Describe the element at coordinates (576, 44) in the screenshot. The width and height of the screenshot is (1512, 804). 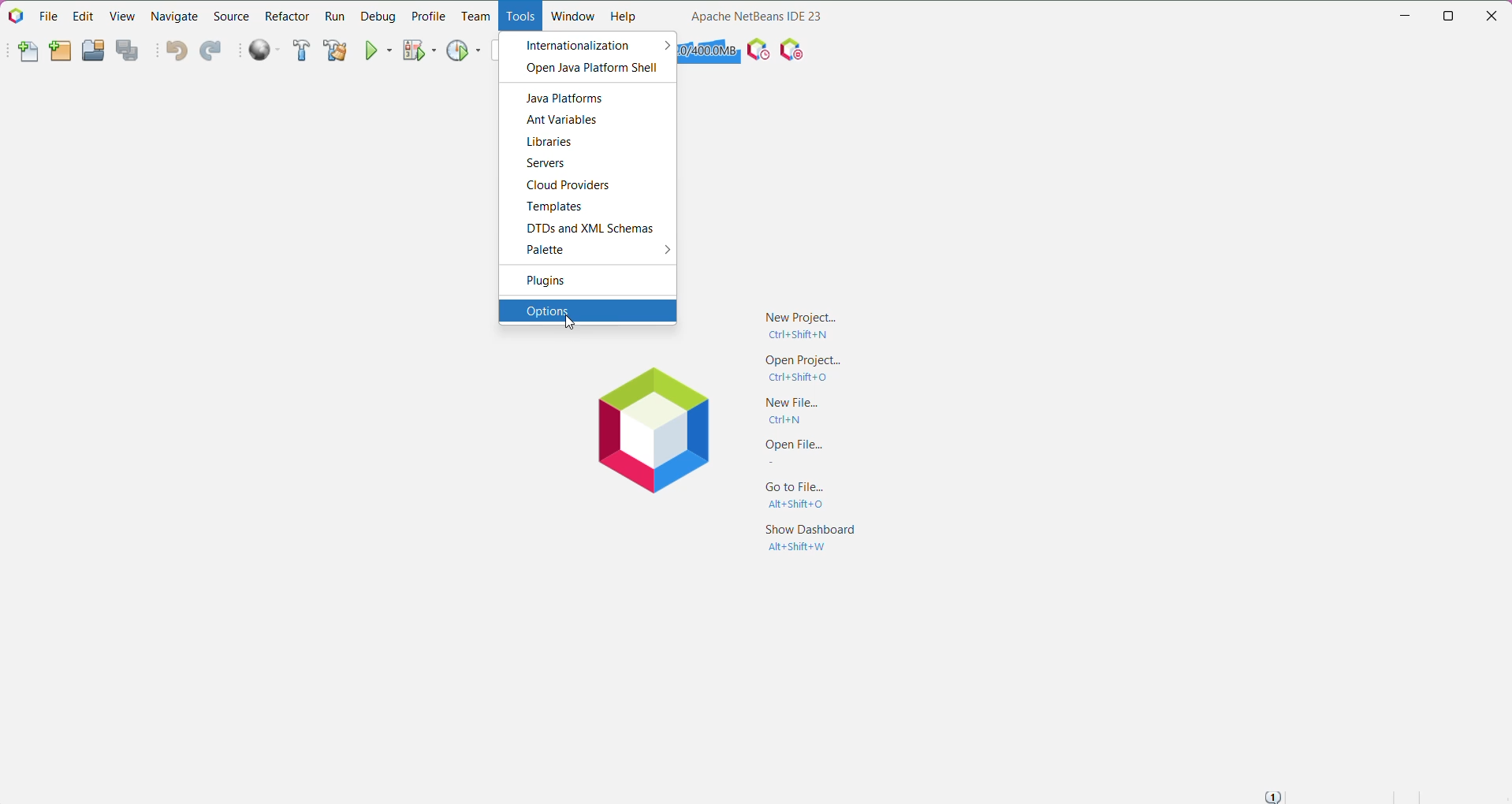
I see `Internationalization` at that location.